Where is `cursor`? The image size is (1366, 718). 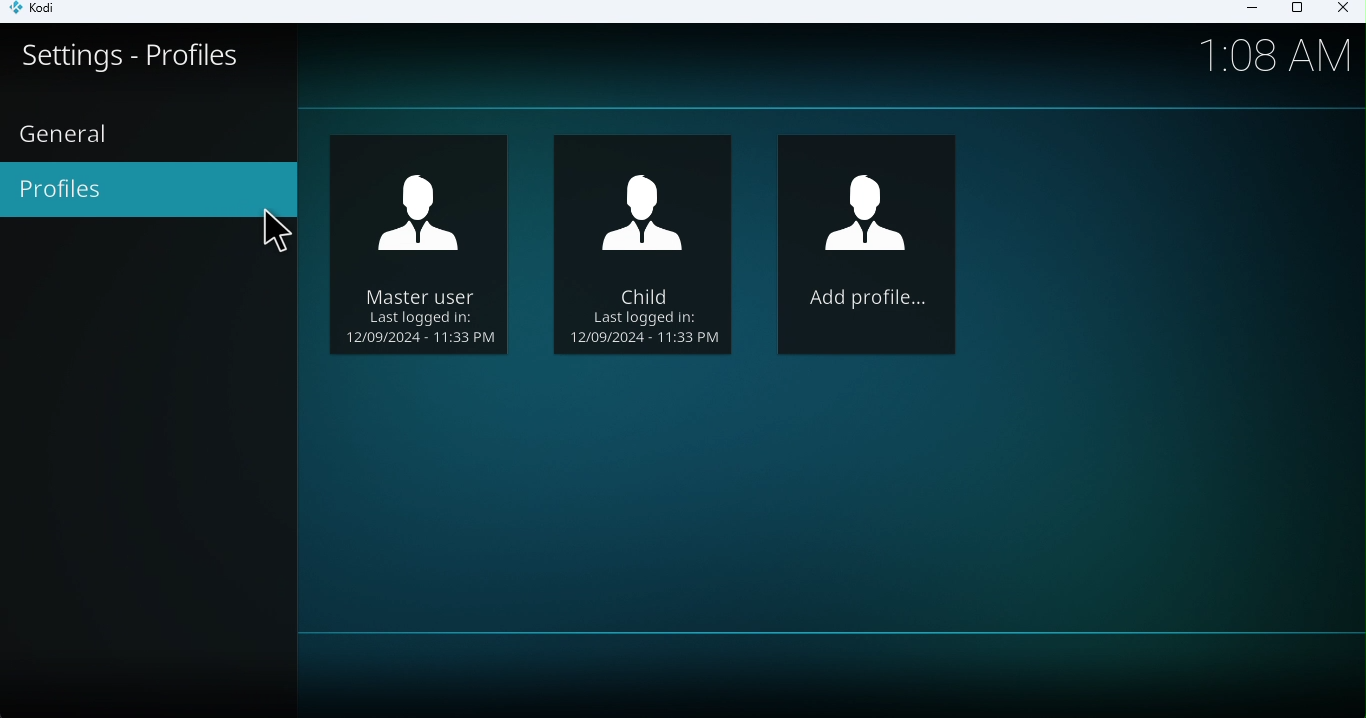 cursor is located at coordinates (271, 238).